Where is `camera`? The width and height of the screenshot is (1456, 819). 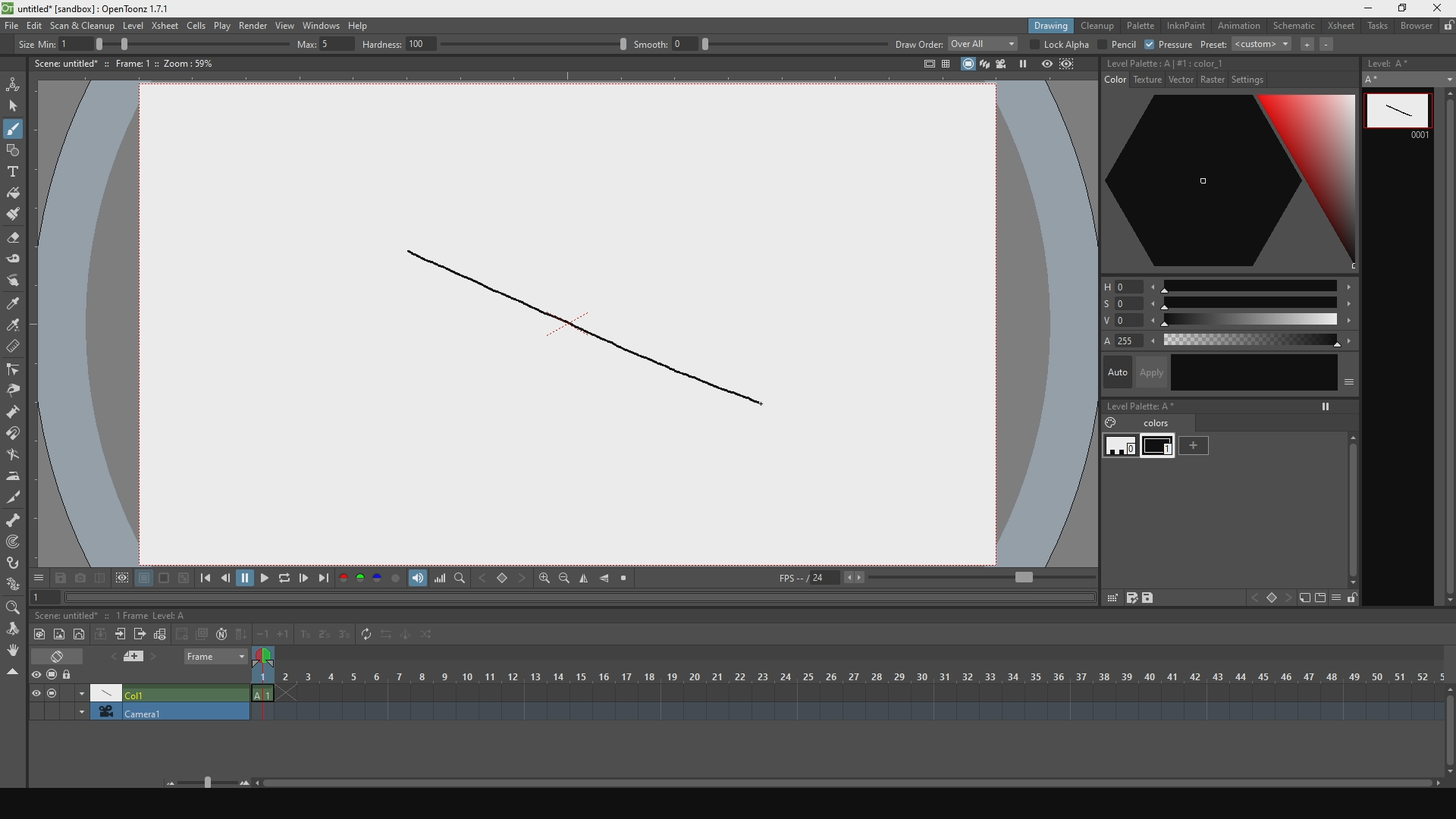 camera is located at coordinates (142, 711).